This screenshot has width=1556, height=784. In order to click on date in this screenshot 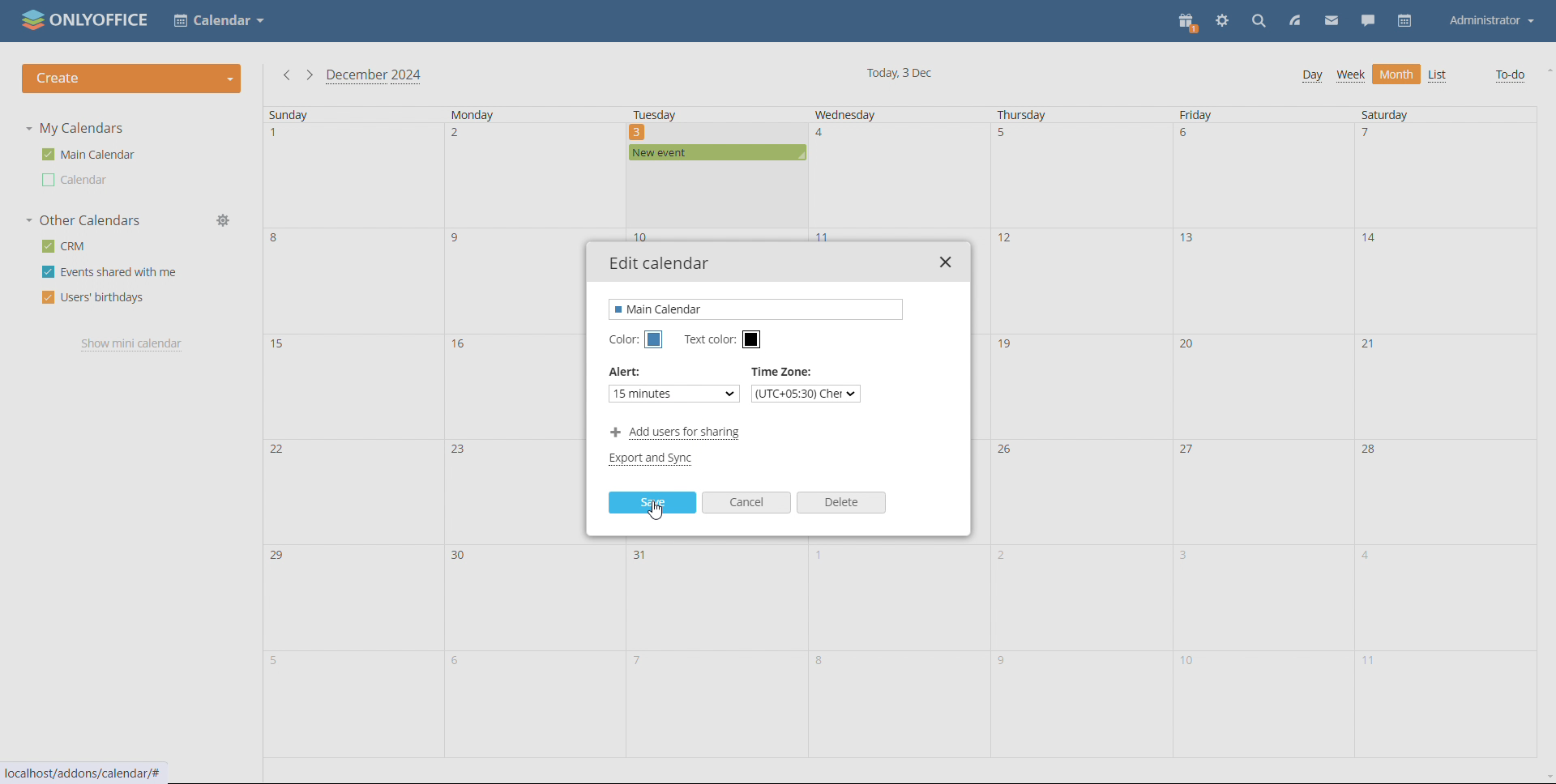, I will do `click(898, 596)`.